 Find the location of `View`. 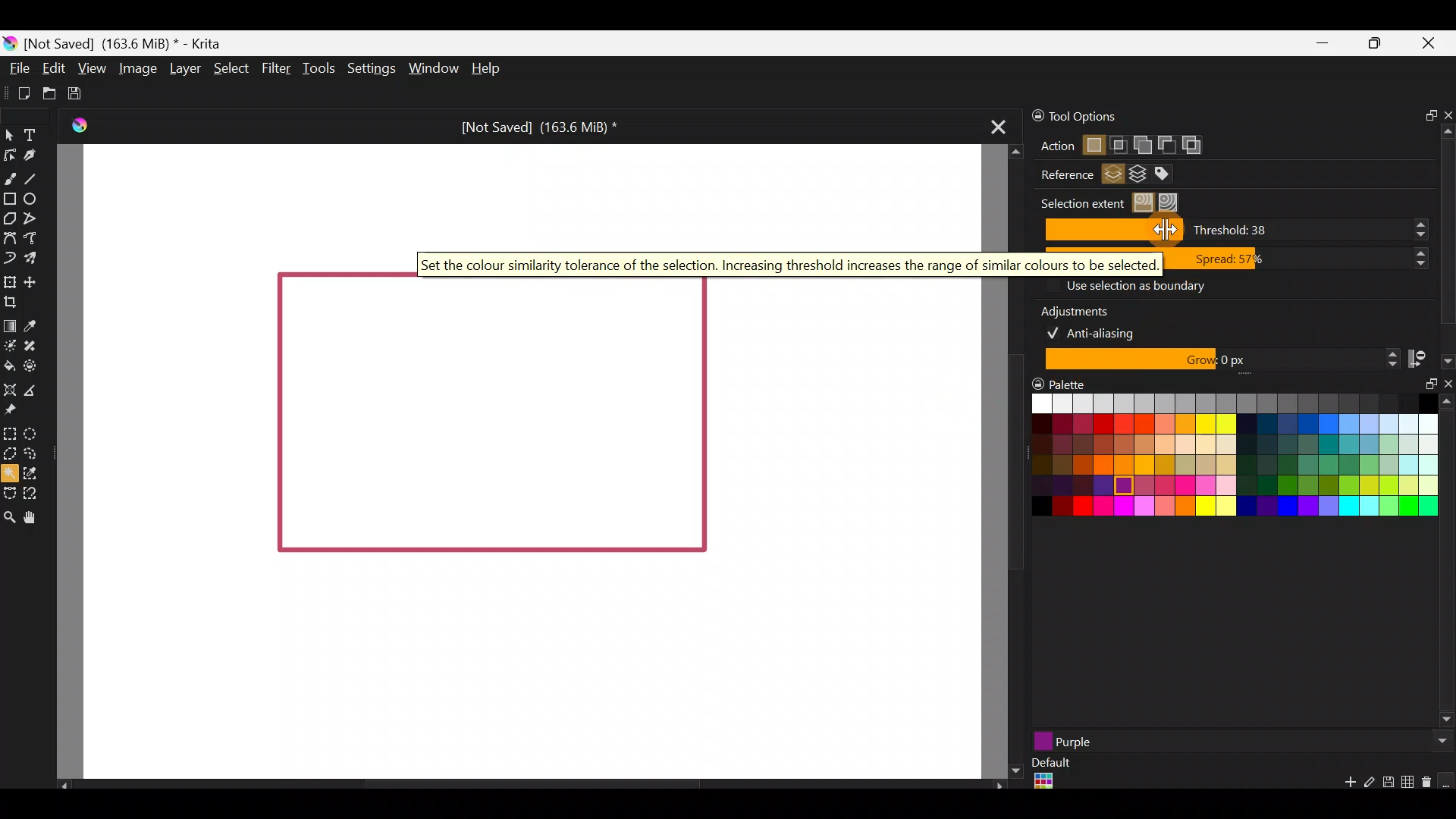

View is located at coordinates (91, 66).